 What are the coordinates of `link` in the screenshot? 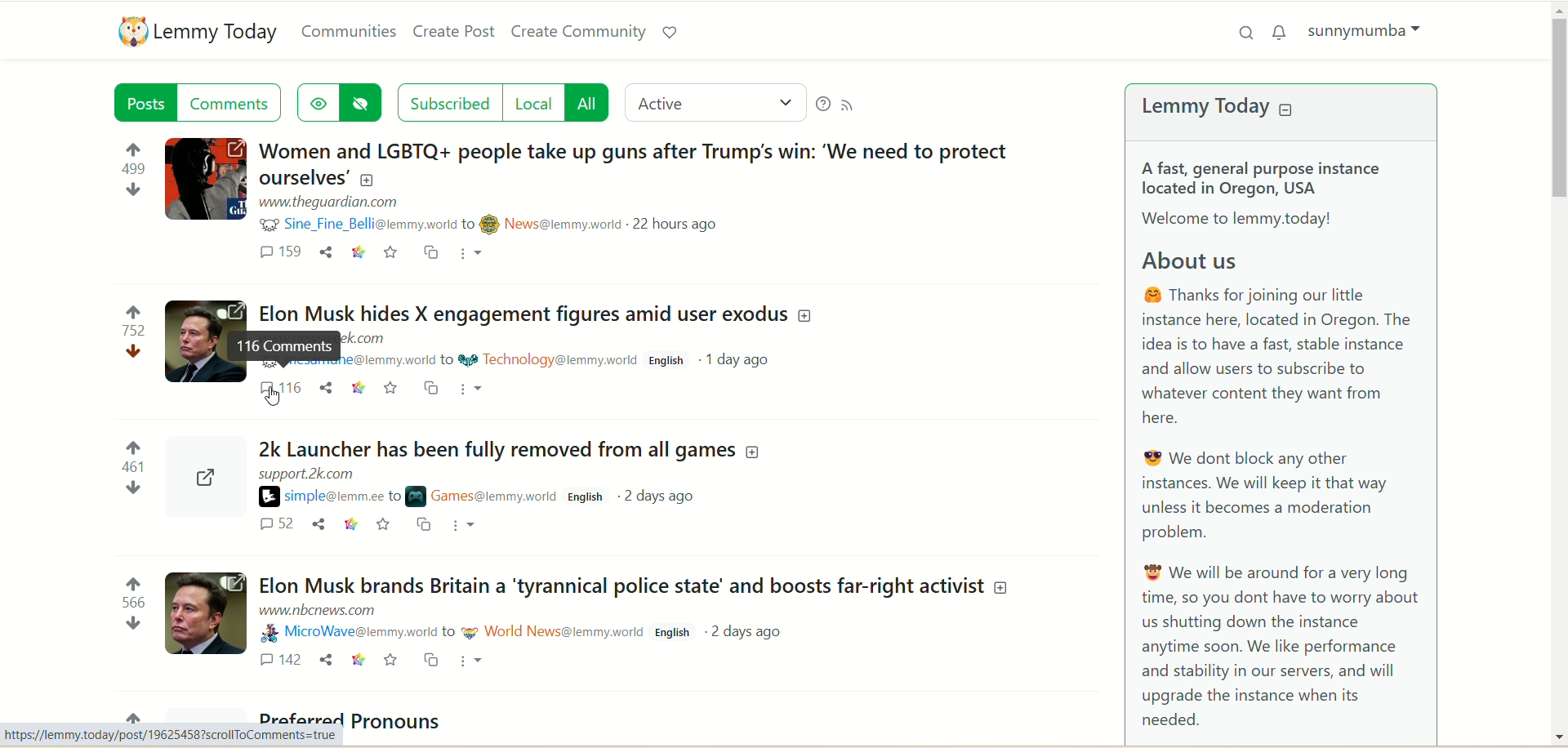 It's located at (359, 658).